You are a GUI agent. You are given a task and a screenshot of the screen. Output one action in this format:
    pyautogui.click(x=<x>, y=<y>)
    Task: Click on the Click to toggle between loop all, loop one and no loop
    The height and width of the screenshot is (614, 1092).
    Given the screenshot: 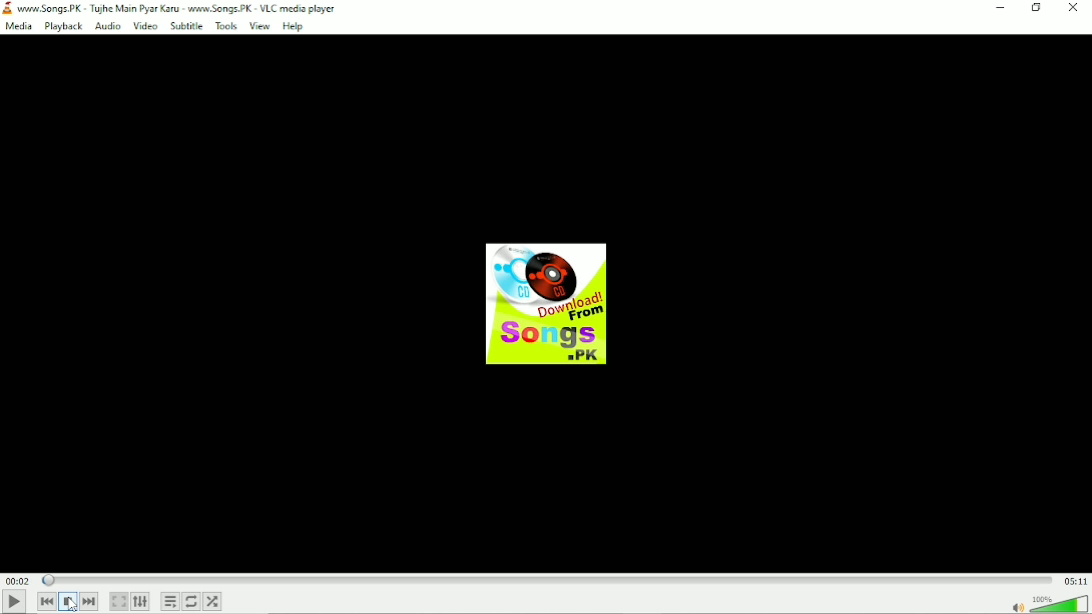 What is the action you would take?
    pyautogui.click(x=191, y=602)
    